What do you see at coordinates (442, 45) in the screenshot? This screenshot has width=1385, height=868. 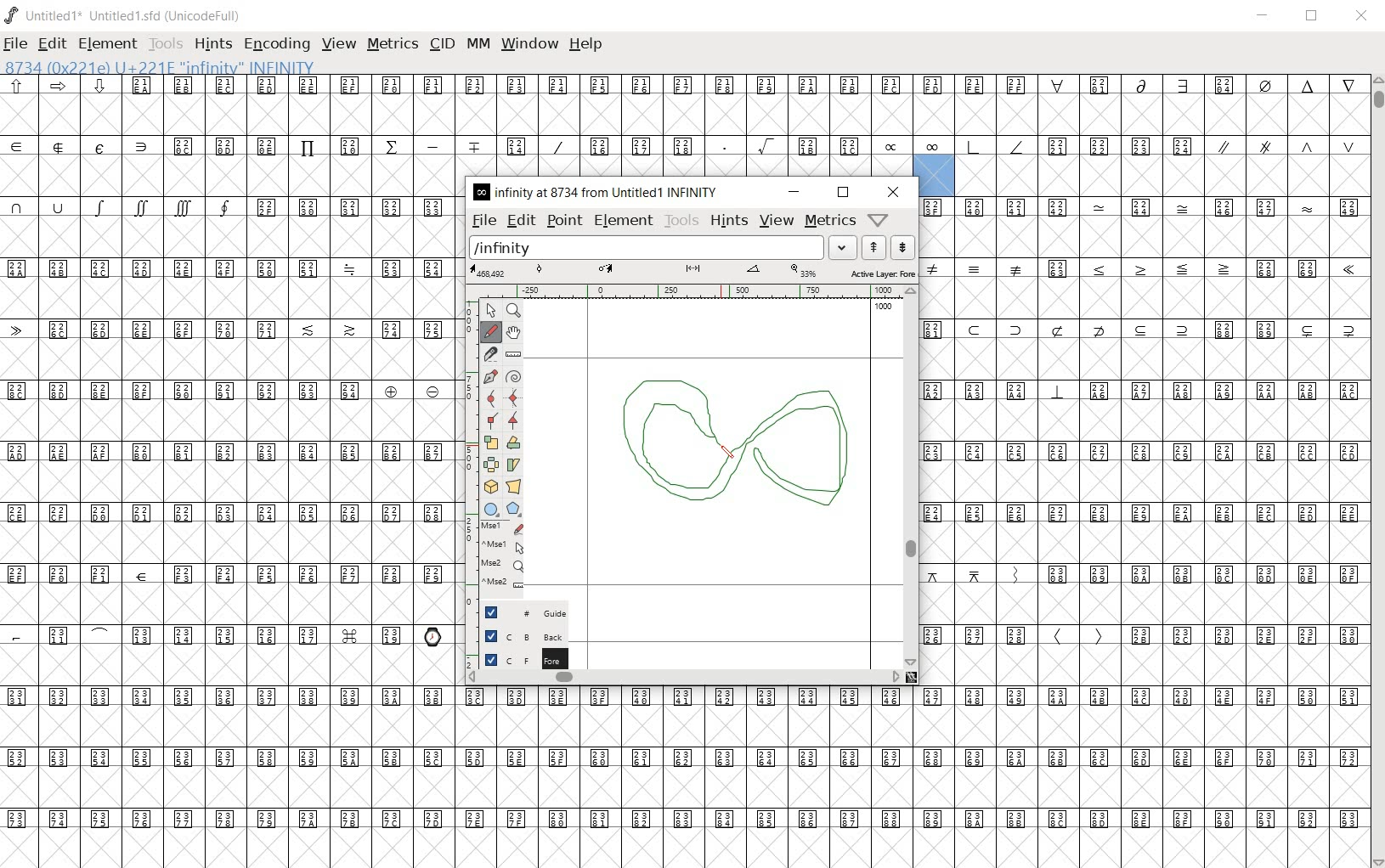 I see `cid` at bounding box center [442, 45].